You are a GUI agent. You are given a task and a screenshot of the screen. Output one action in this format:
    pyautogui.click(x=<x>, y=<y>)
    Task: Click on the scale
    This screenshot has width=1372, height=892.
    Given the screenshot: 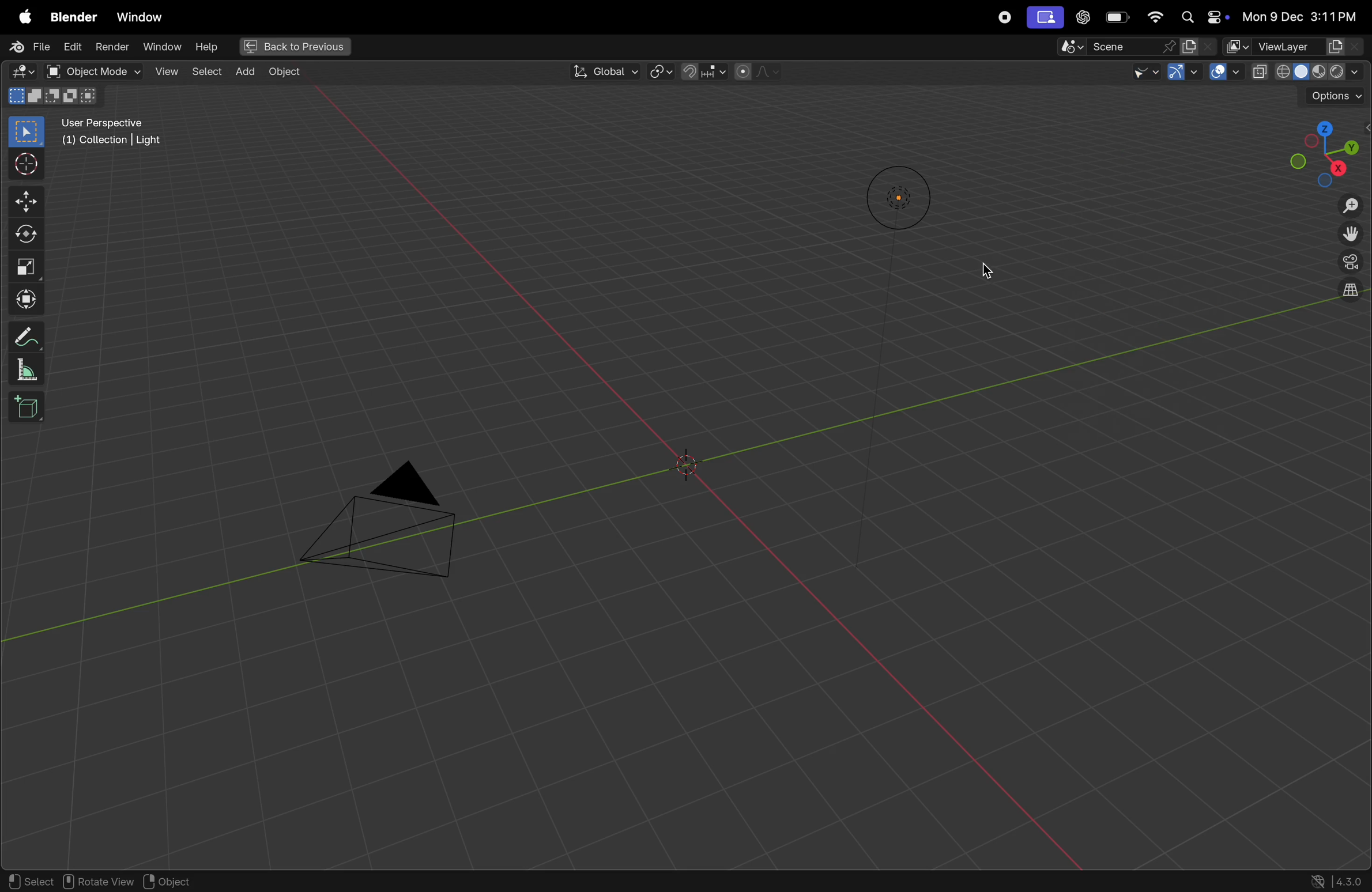 What is the action you would take?
    pyautogui.click(x=27, y=369)
    